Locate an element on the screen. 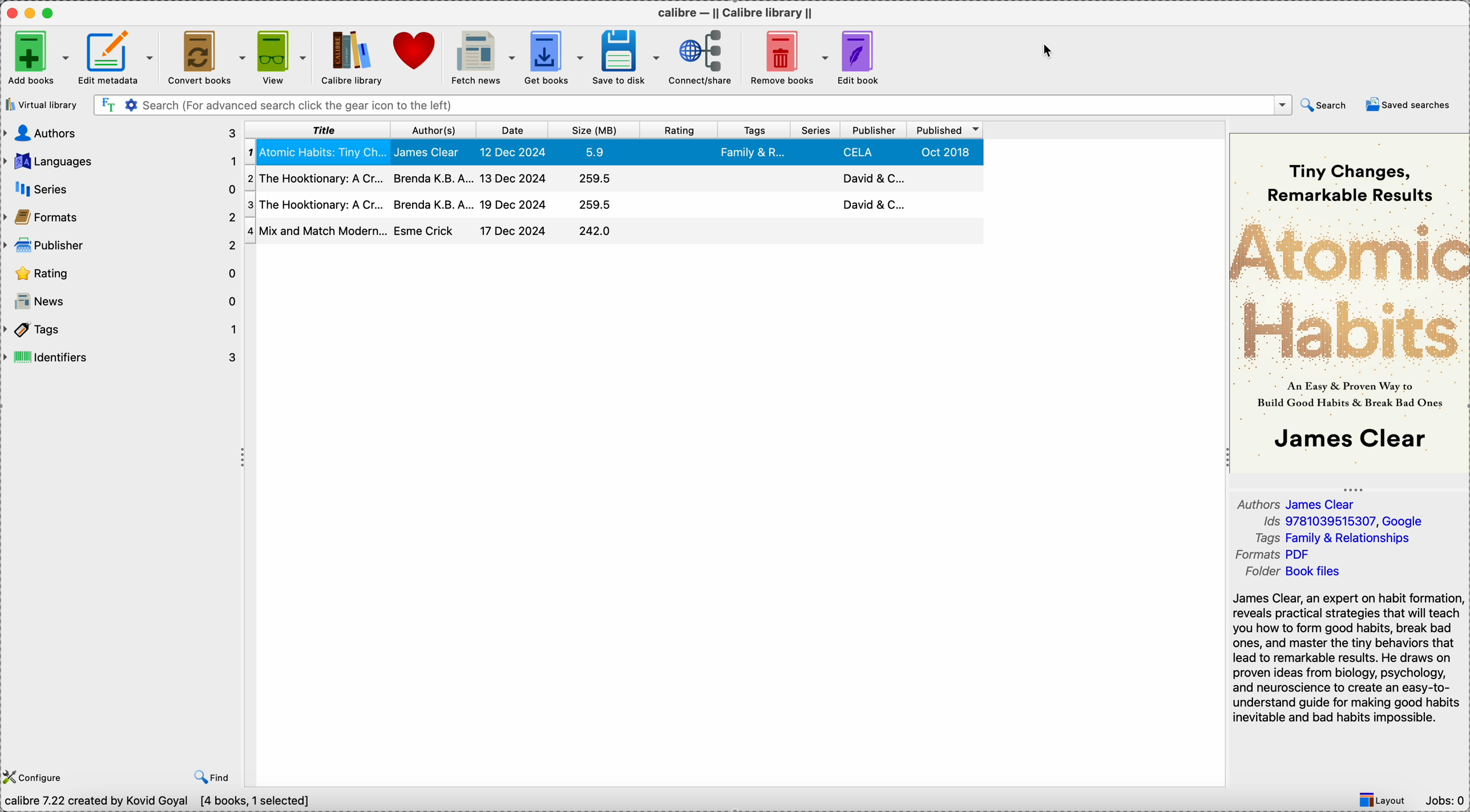 The width and height of the screenshot is (1470, 812). saved searches is located at coordinates (1408, 106).